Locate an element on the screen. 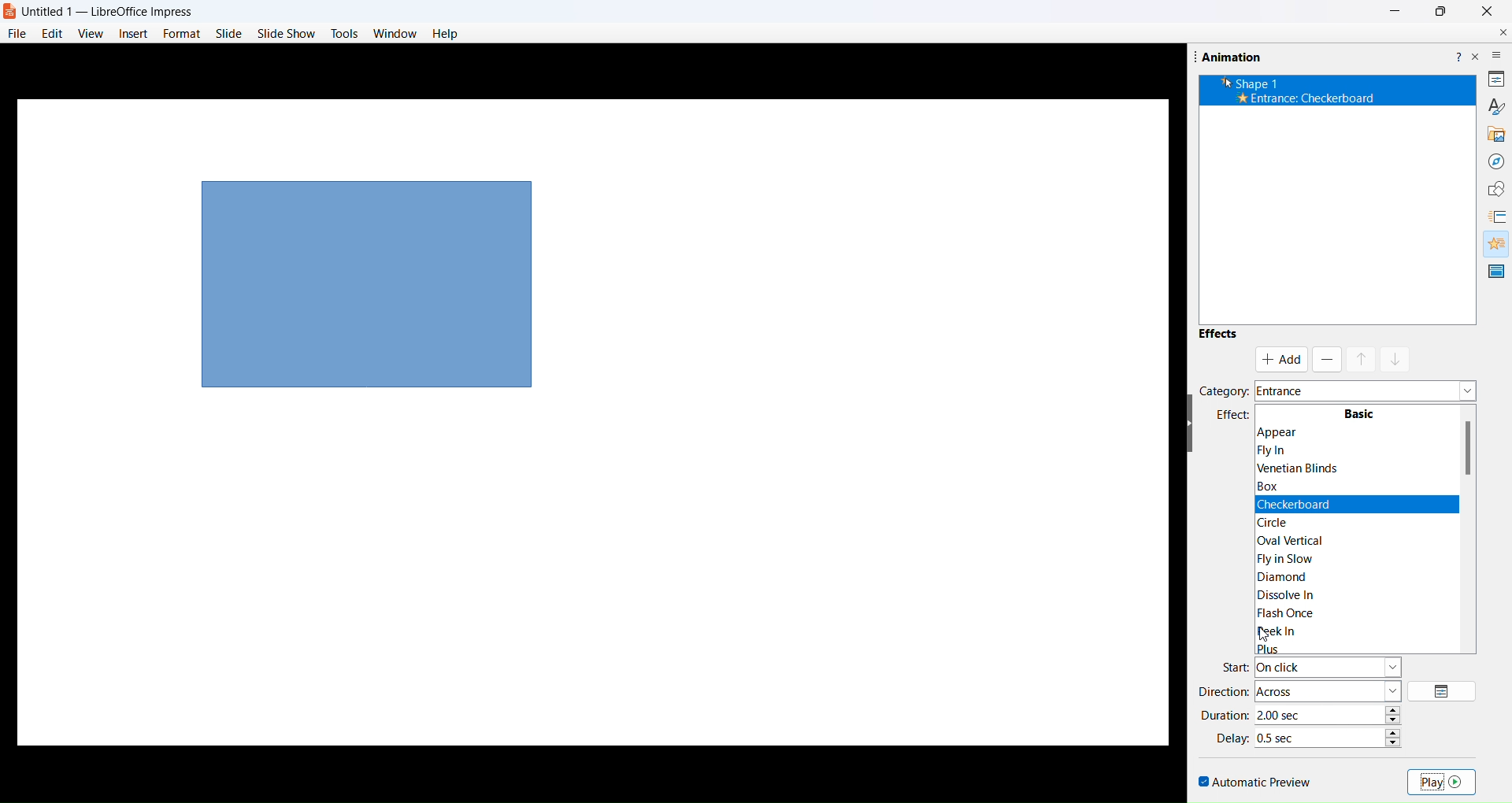 This screenshot has height=803, width=1512. option activate is located at coordinates (1280, 361).